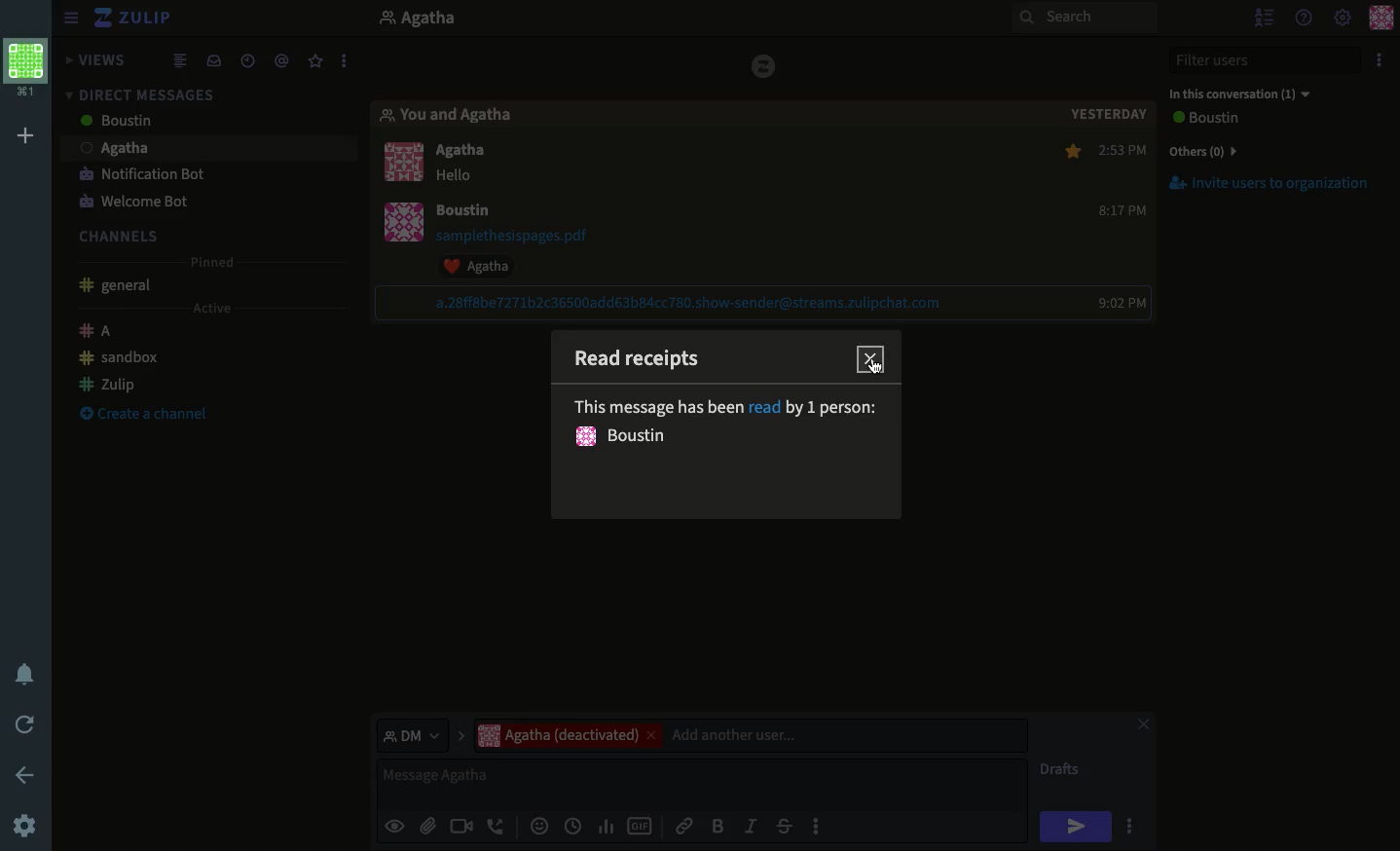 The image size is (1400, 851). Describe the element at coordinates (1264, 16) in the screenshot. I see `Hide users list` at that location.